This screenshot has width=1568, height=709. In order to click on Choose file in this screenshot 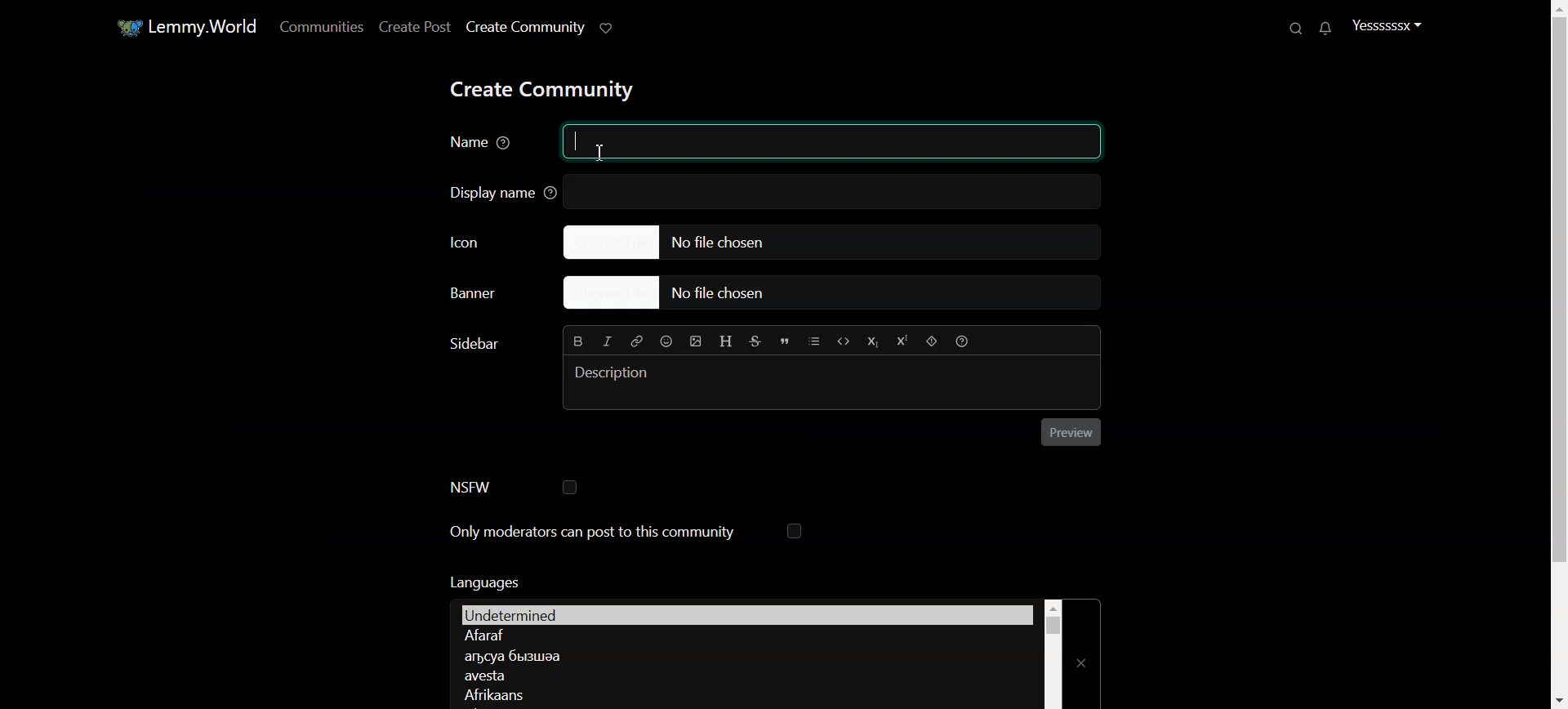, I will do `click(831, 241)`.